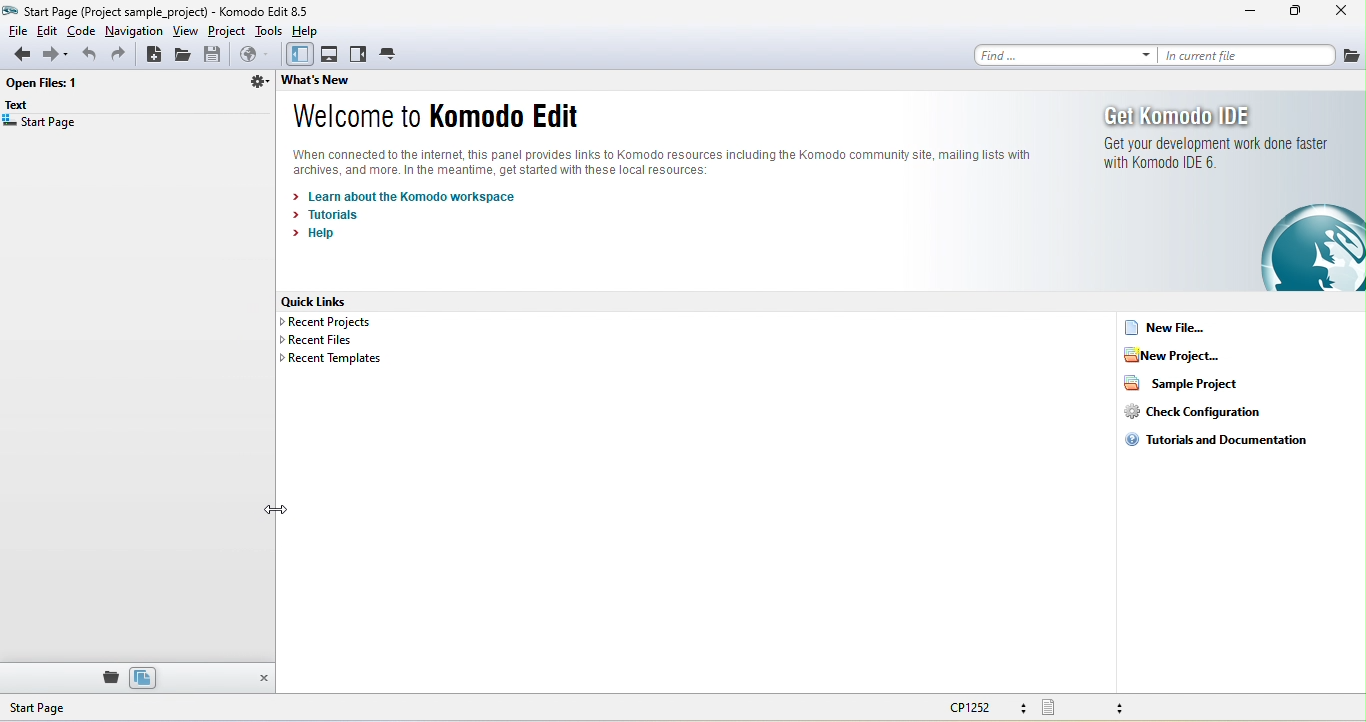  What do you see at coordinates (1192, 411) in the screenshot?
I see `check configuration` at bounding box center [1192, 411].